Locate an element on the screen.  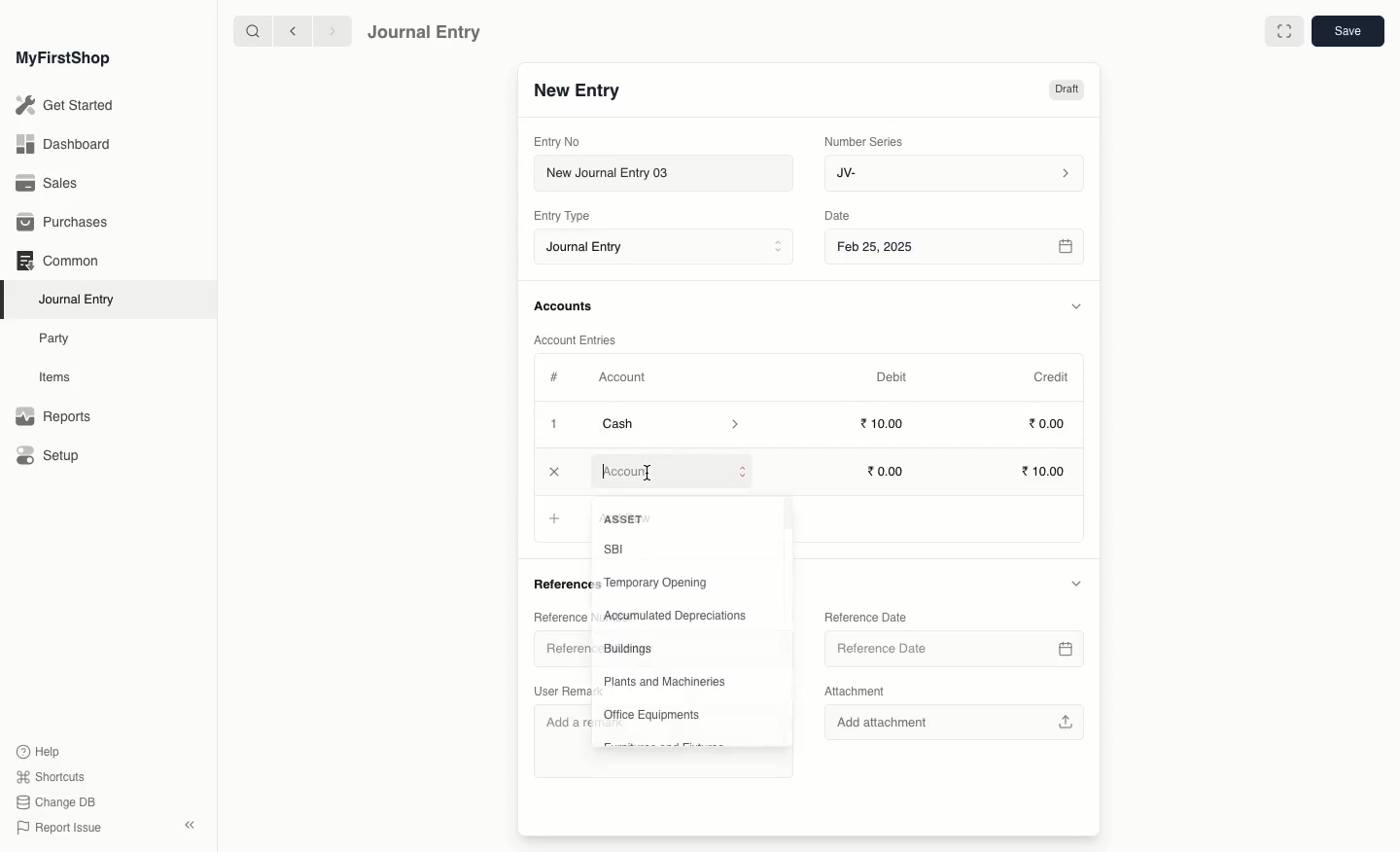
New Journal Entry 03 is located at coordinates (669, 174).